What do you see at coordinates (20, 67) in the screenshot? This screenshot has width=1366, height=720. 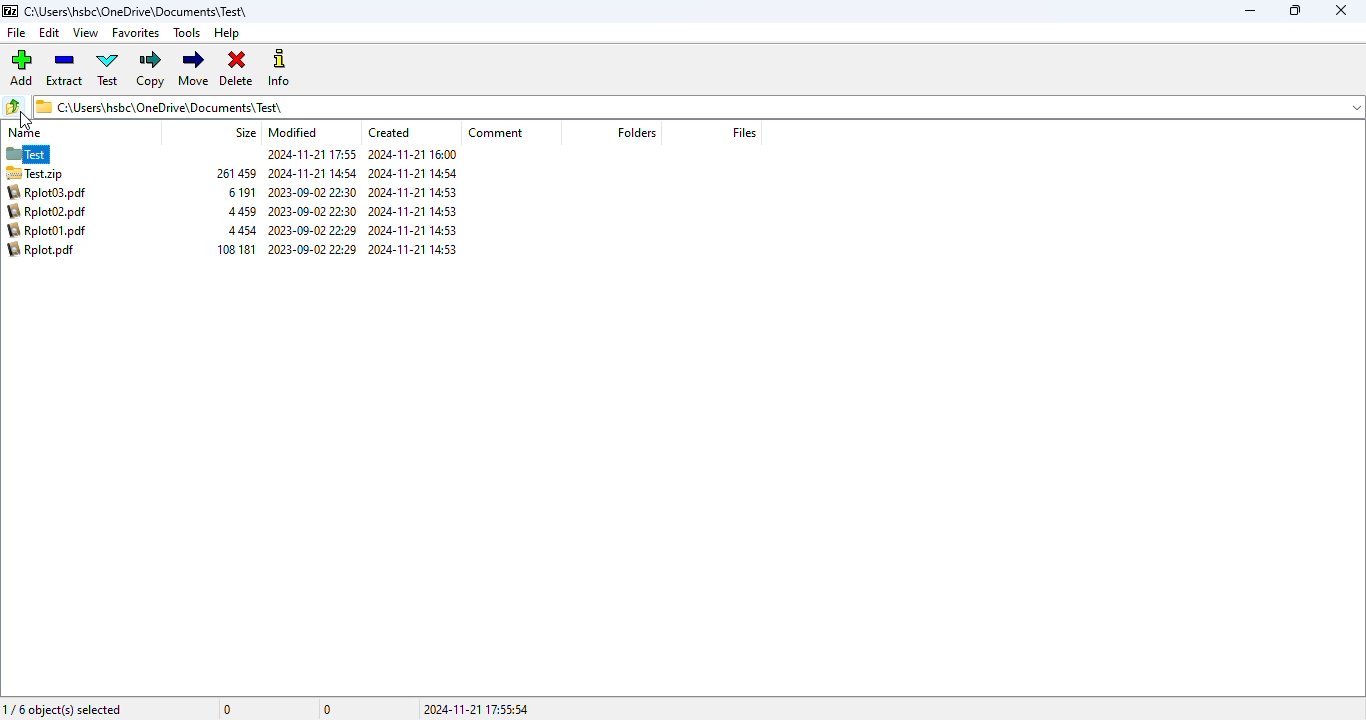 I see `add` at bounding box center [20, 67].